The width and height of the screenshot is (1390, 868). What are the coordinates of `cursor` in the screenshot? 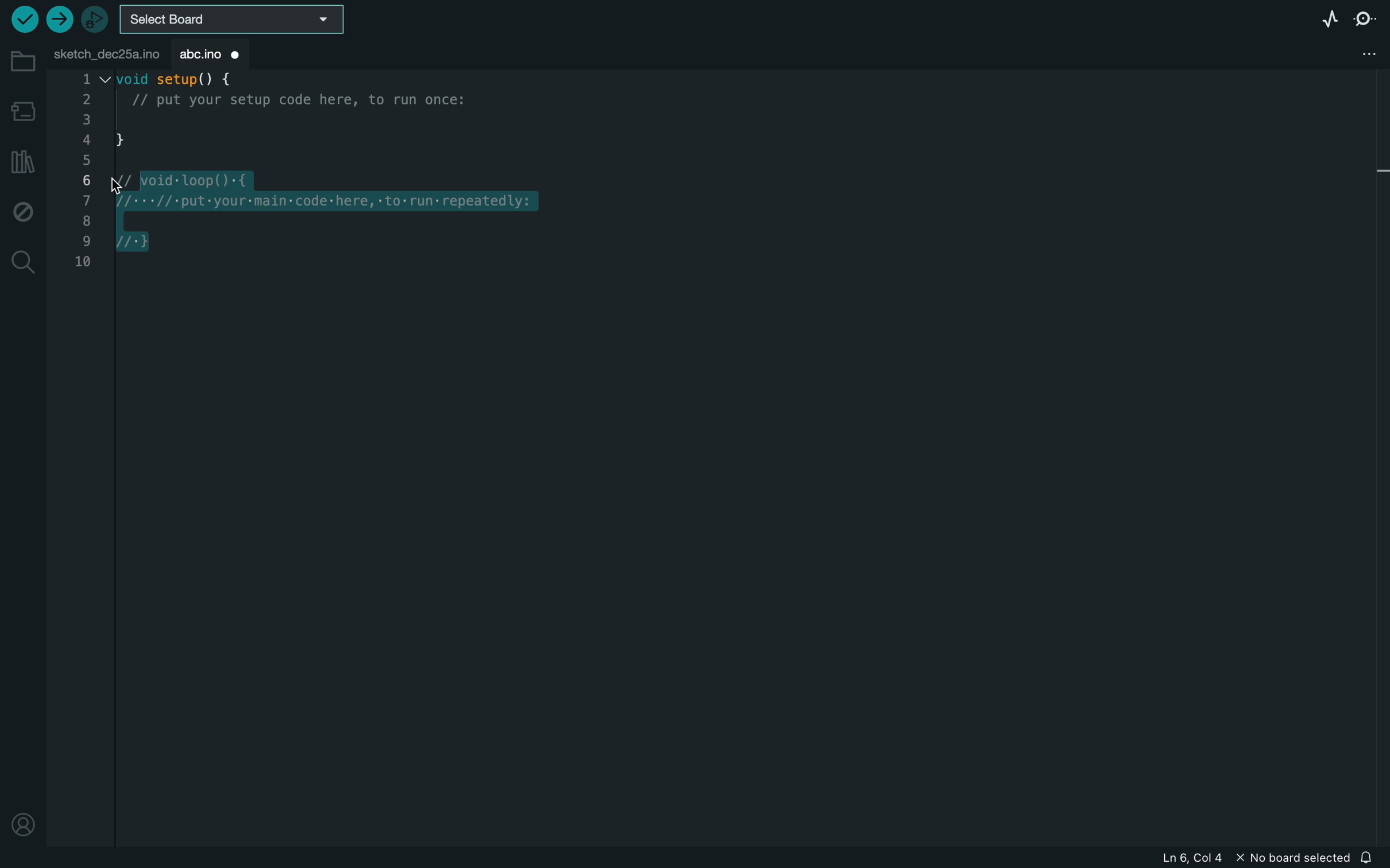 It's located at (137, 181).